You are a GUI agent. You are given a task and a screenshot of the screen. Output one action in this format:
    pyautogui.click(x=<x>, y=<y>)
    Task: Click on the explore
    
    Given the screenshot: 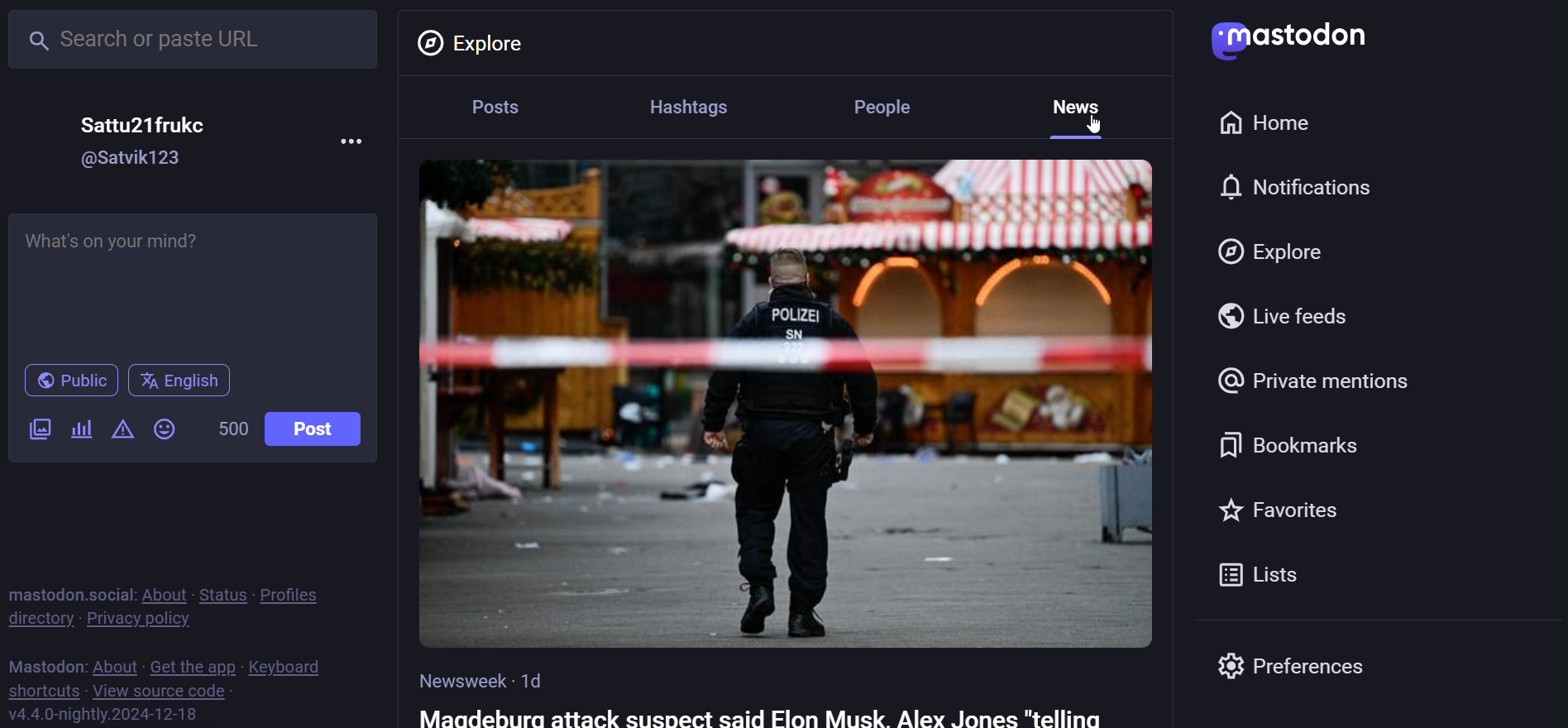 What is the action you would take?
    pyautogui.click(x=1273, y=252)
    